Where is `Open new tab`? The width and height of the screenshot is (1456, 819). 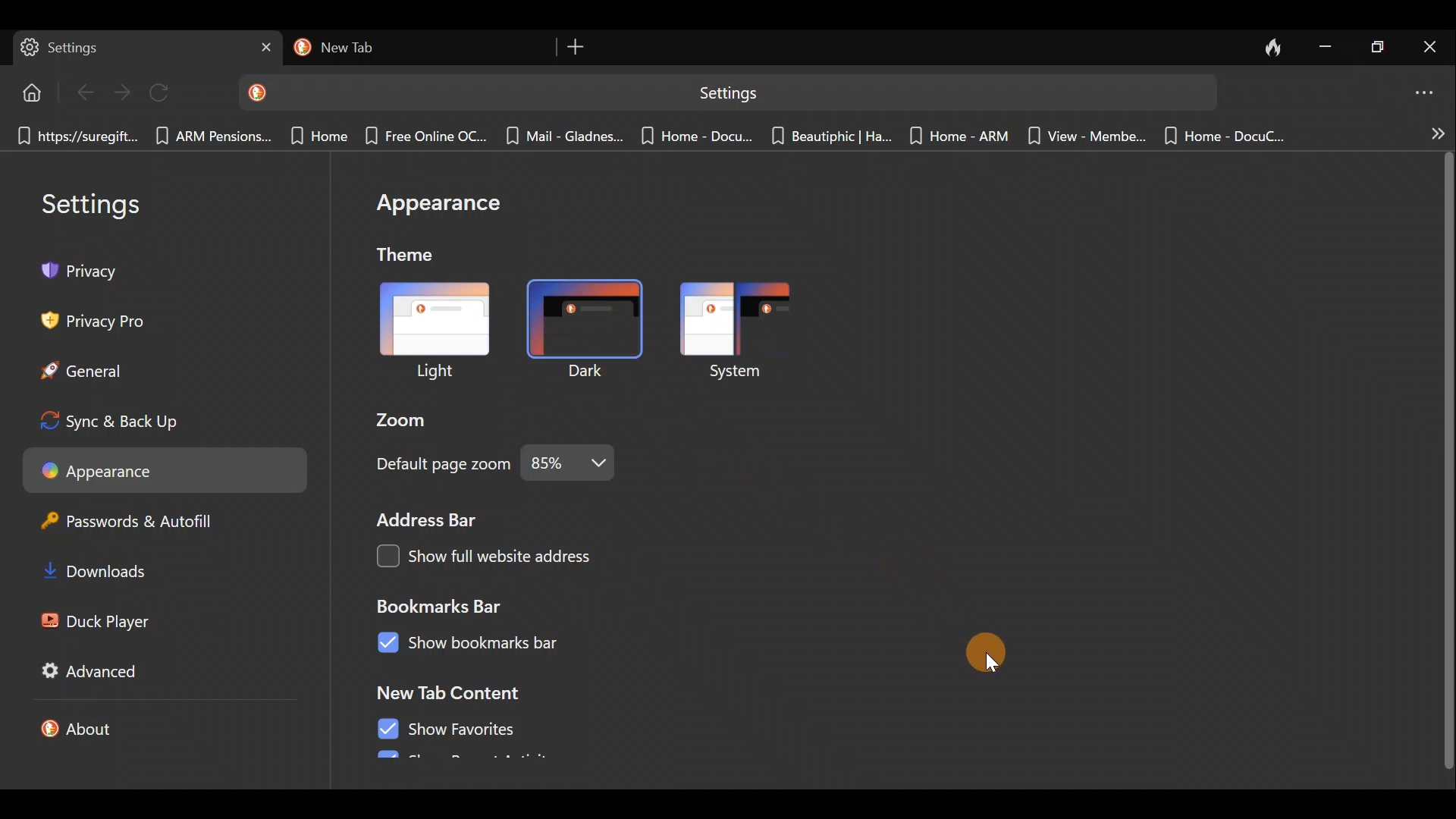 Open new tab is located at coordinates (579, 48).